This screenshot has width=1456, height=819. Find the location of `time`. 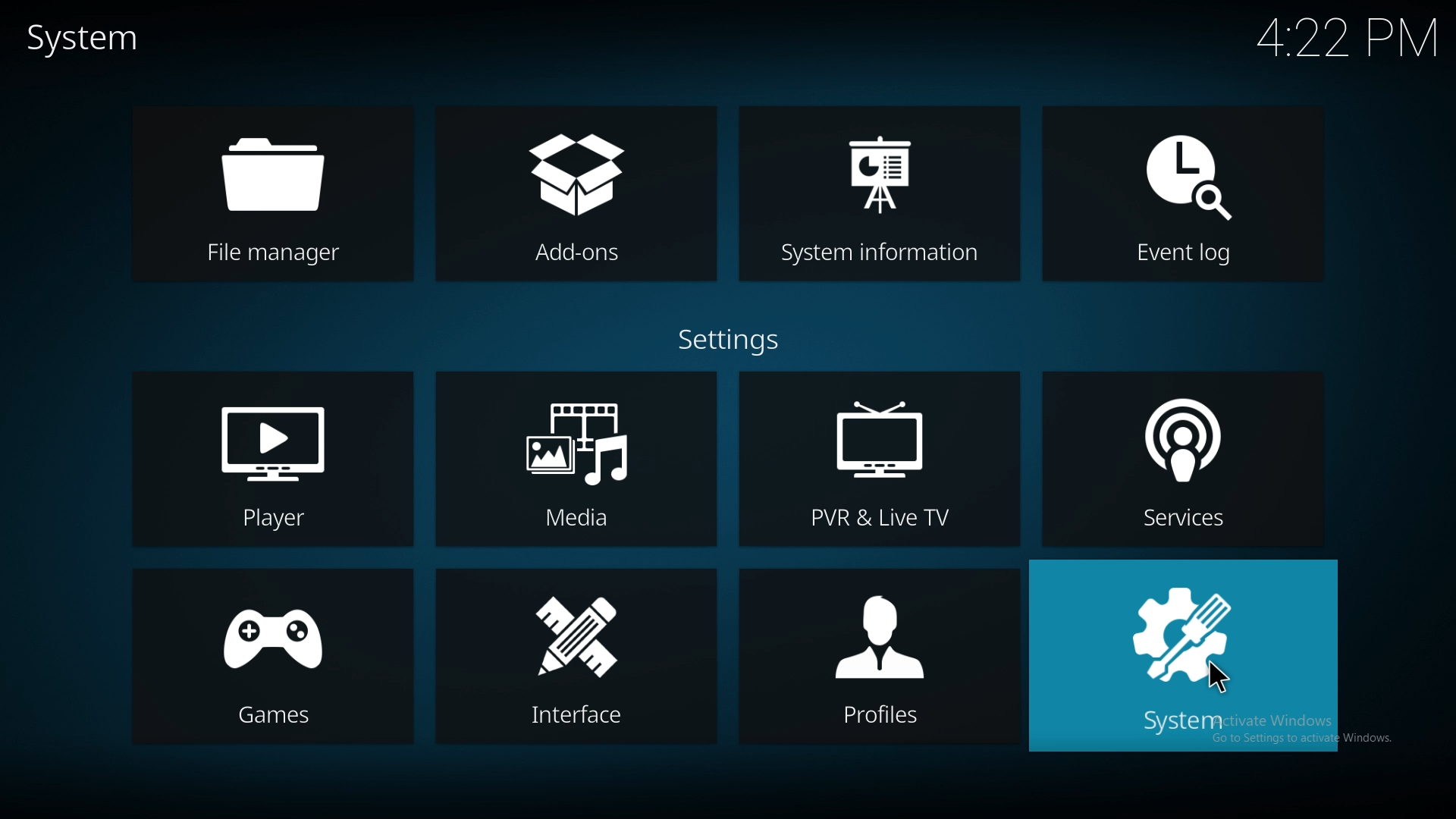

time is located at coordinates (1340, 37).